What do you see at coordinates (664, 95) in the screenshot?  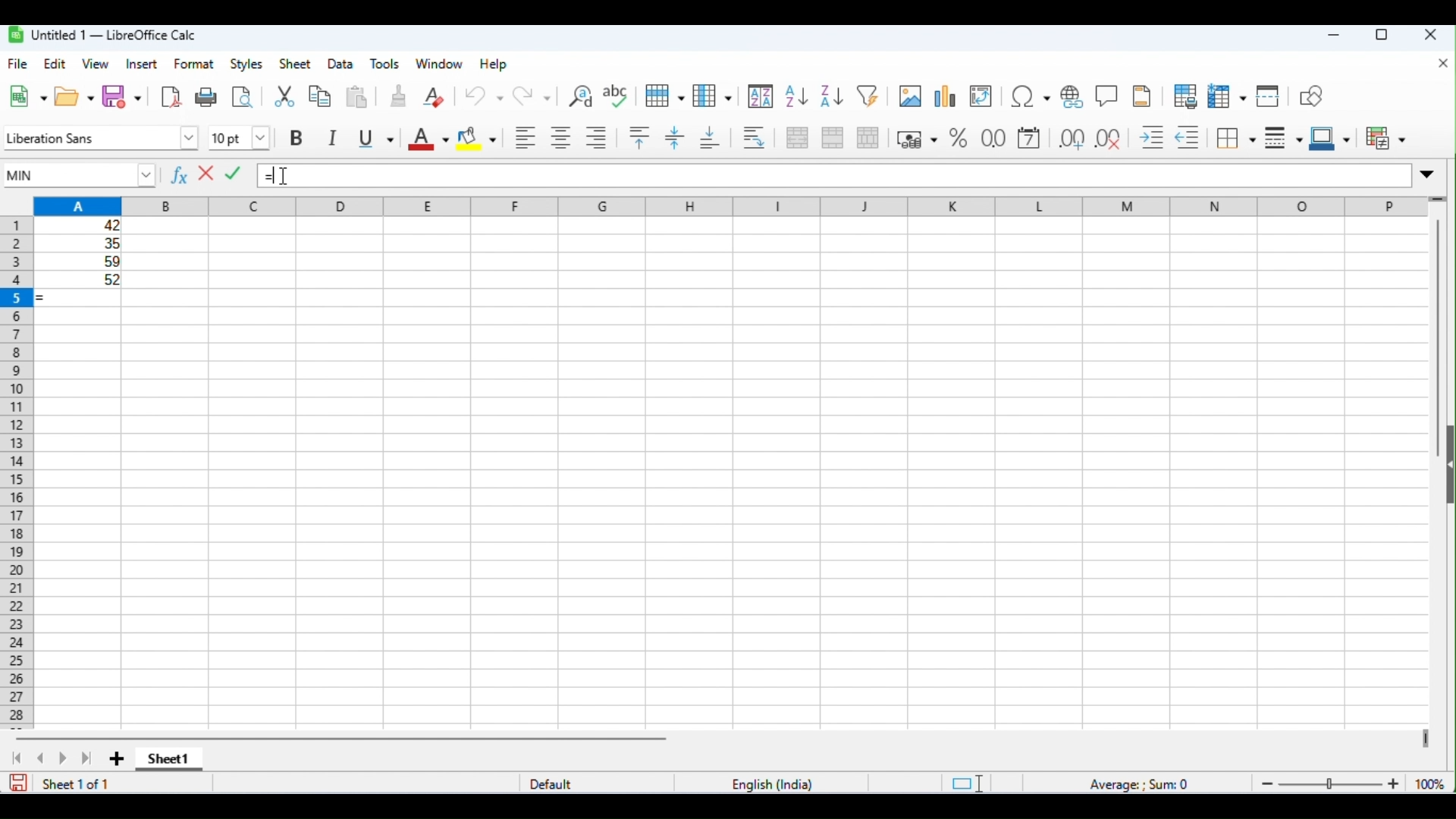 I see `row` at bounding box center [664, 95].